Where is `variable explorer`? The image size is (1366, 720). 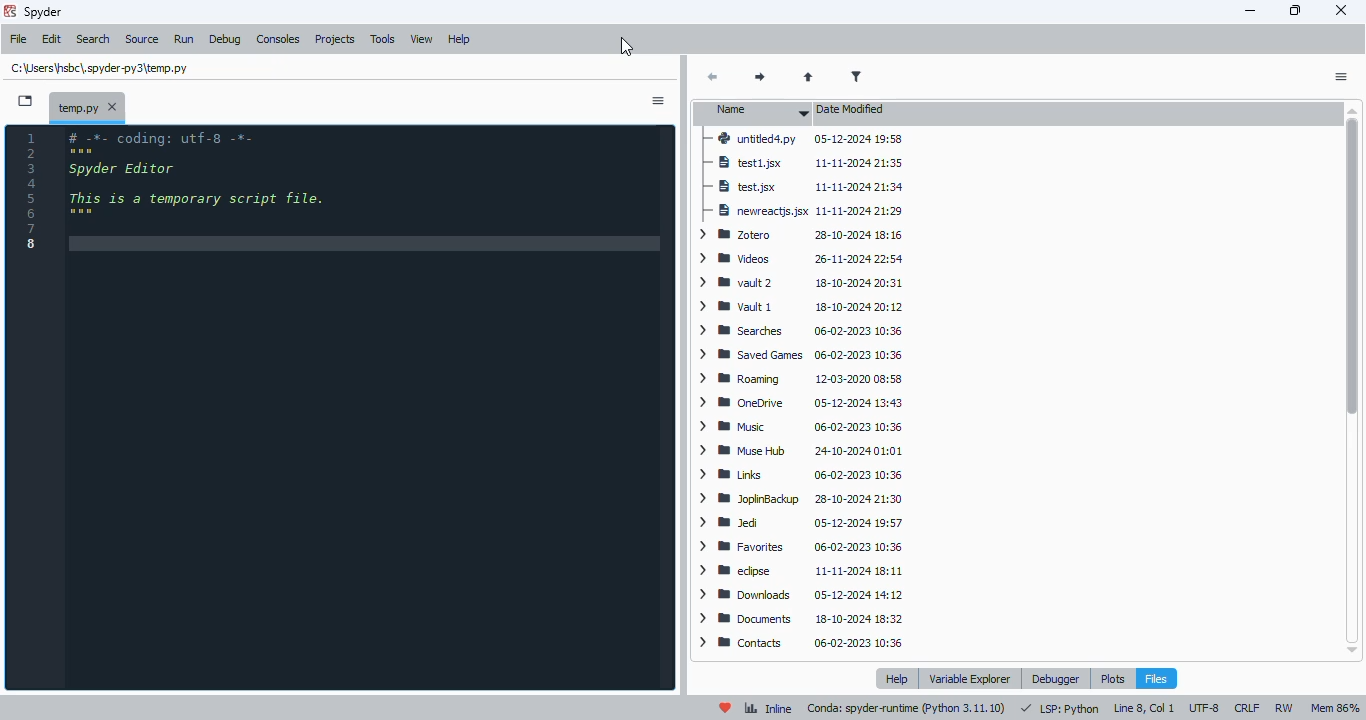
variable explorer is located at coordinates (970, 678).